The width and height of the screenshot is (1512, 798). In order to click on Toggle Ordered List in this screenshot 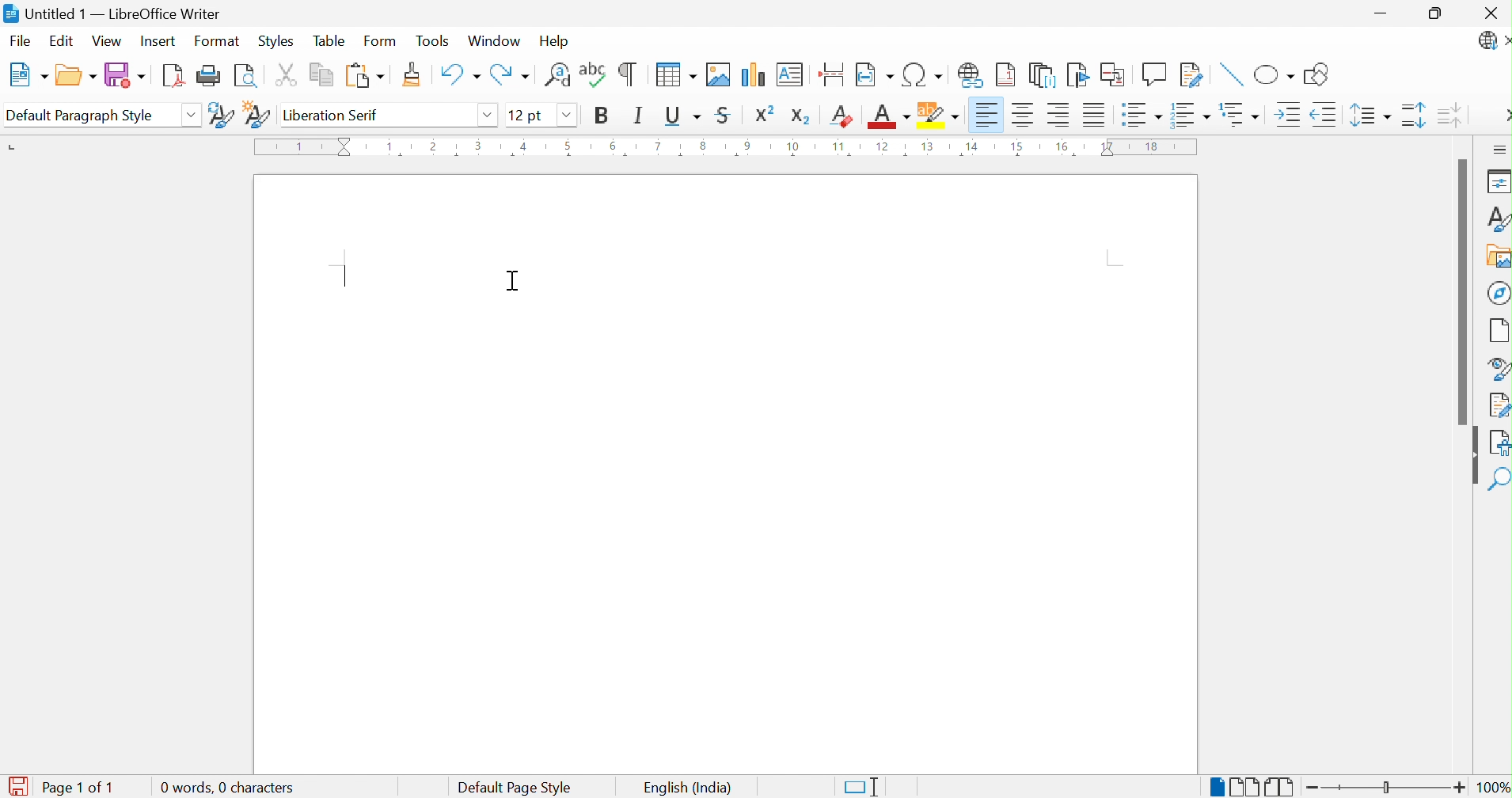, I will do `click(1189, 114)`.